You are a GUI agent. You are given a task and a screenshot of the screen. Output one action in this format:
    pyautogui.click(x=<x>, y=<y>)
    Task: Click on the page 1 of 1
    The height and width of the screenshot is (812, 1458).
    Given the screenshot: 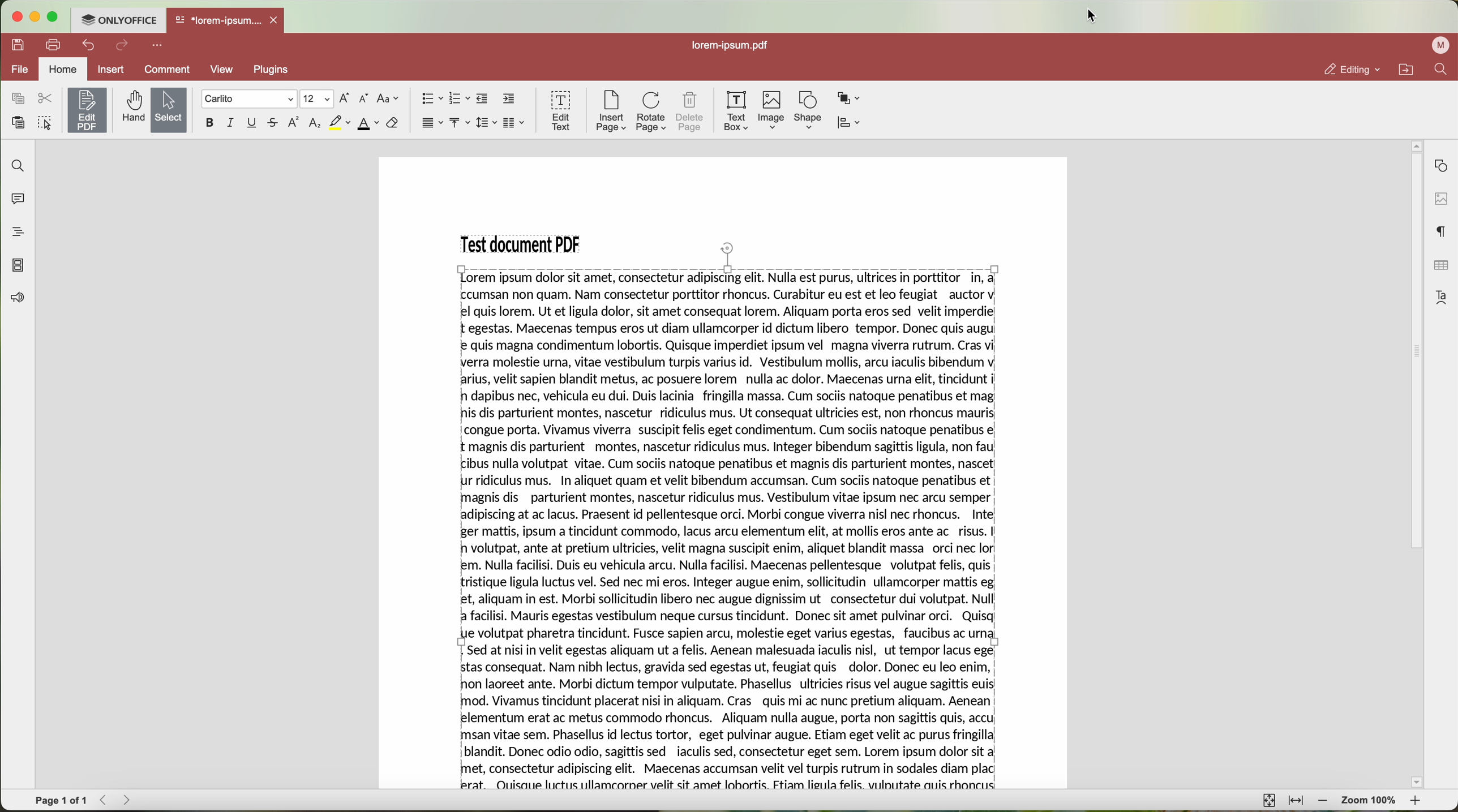 What is the action you would take?
    pyautogui.click(x=60, y=802)
    